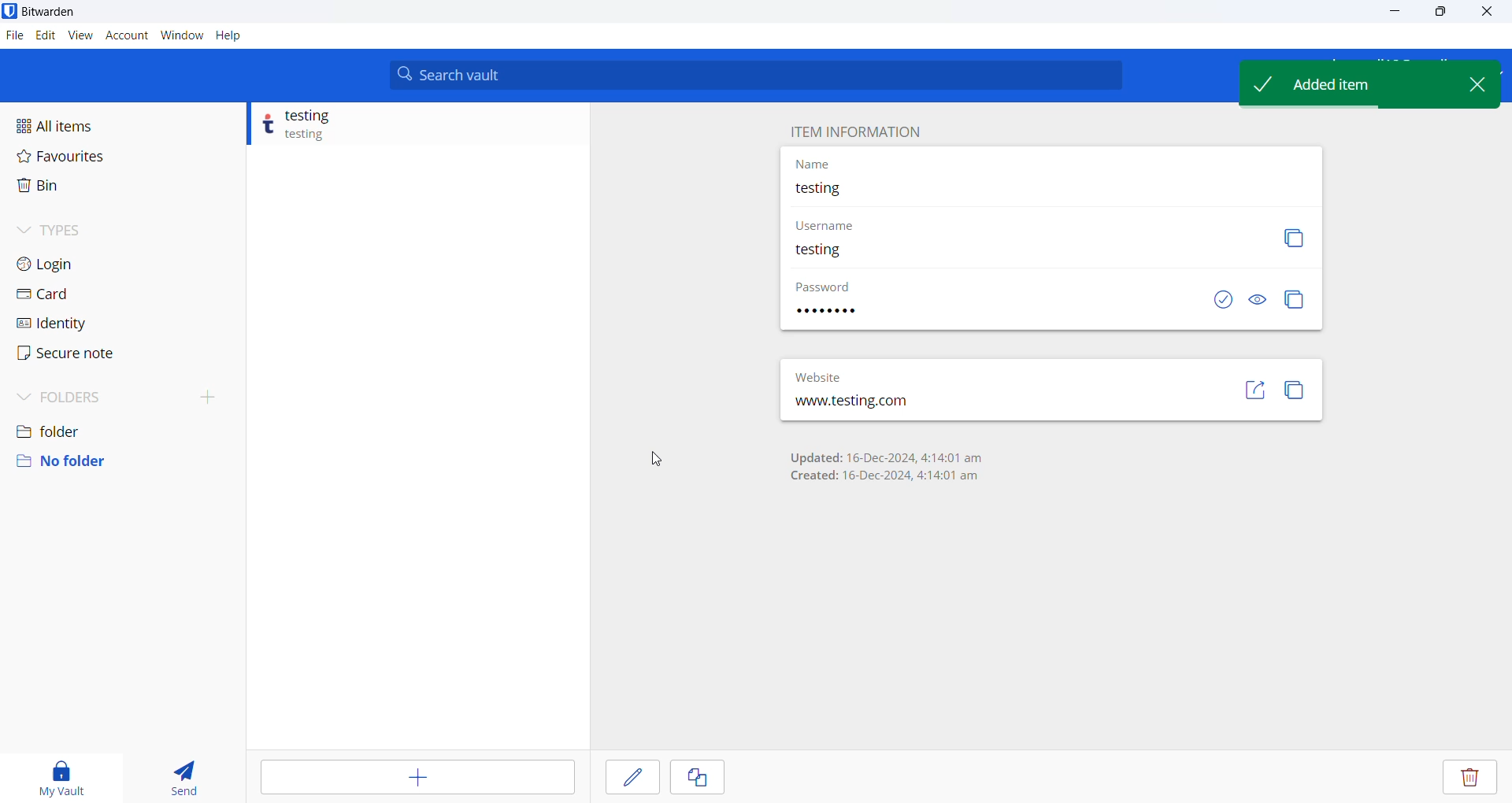  What do you see at coordinates (414, 779) in the screenshot?
I see `add entry` at bounding box center [414, 779].